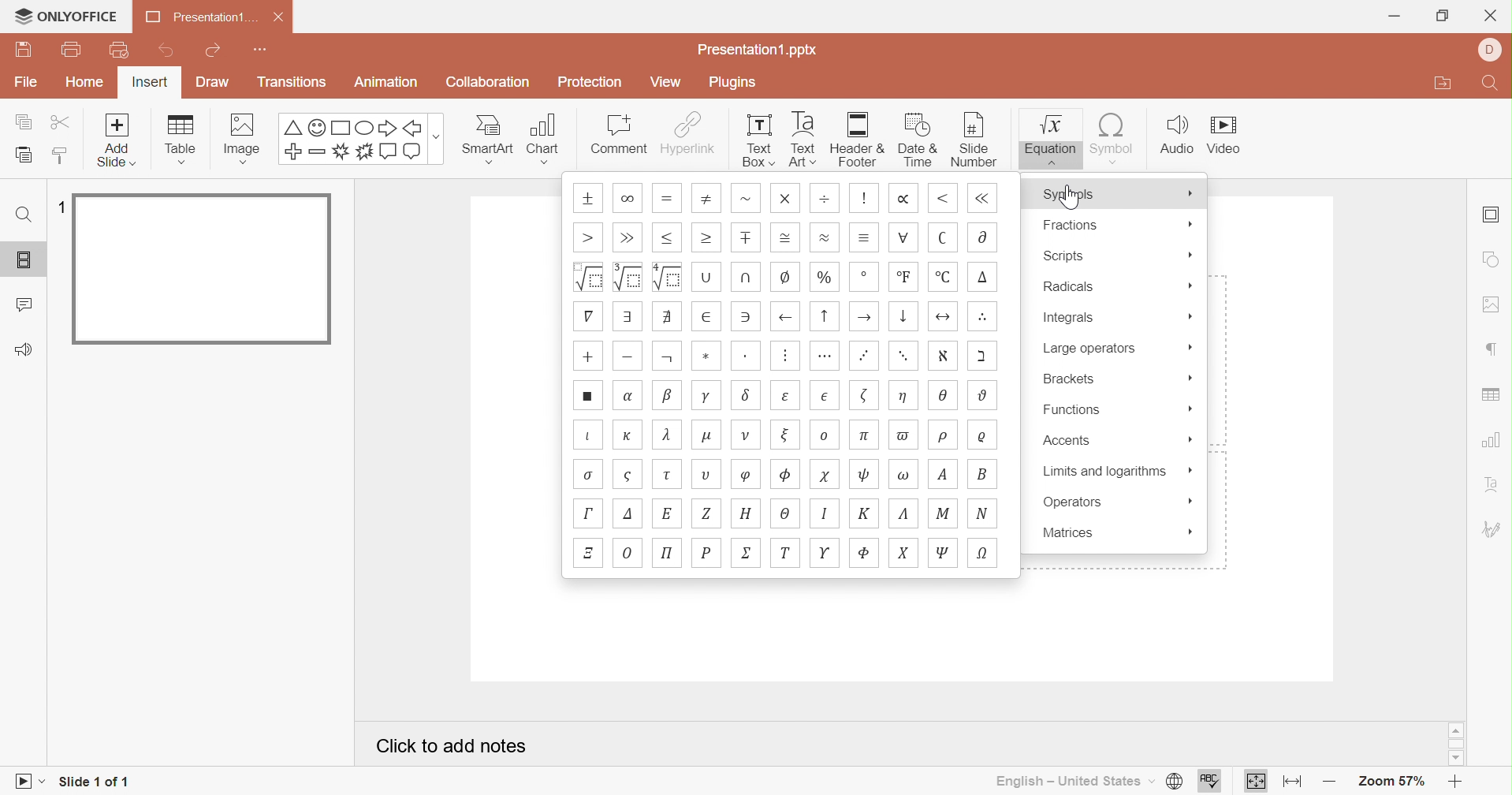  I want to click on Integrals, so click(1115, 316).